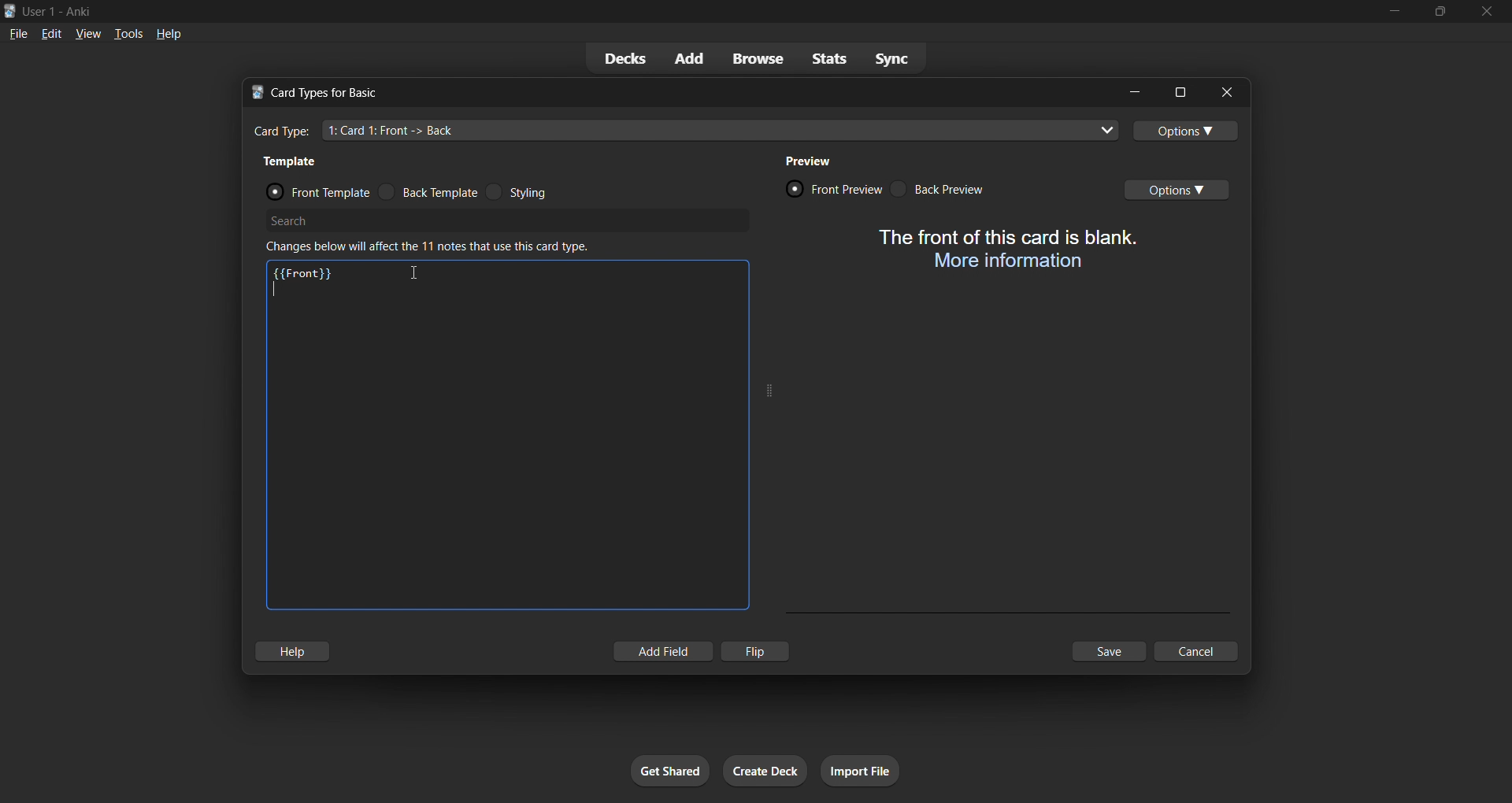 The height and width of the screenshot is (803, 1512). Describe the element at coordinates (1223, 92) in the screenshot. I see `close` at that location.